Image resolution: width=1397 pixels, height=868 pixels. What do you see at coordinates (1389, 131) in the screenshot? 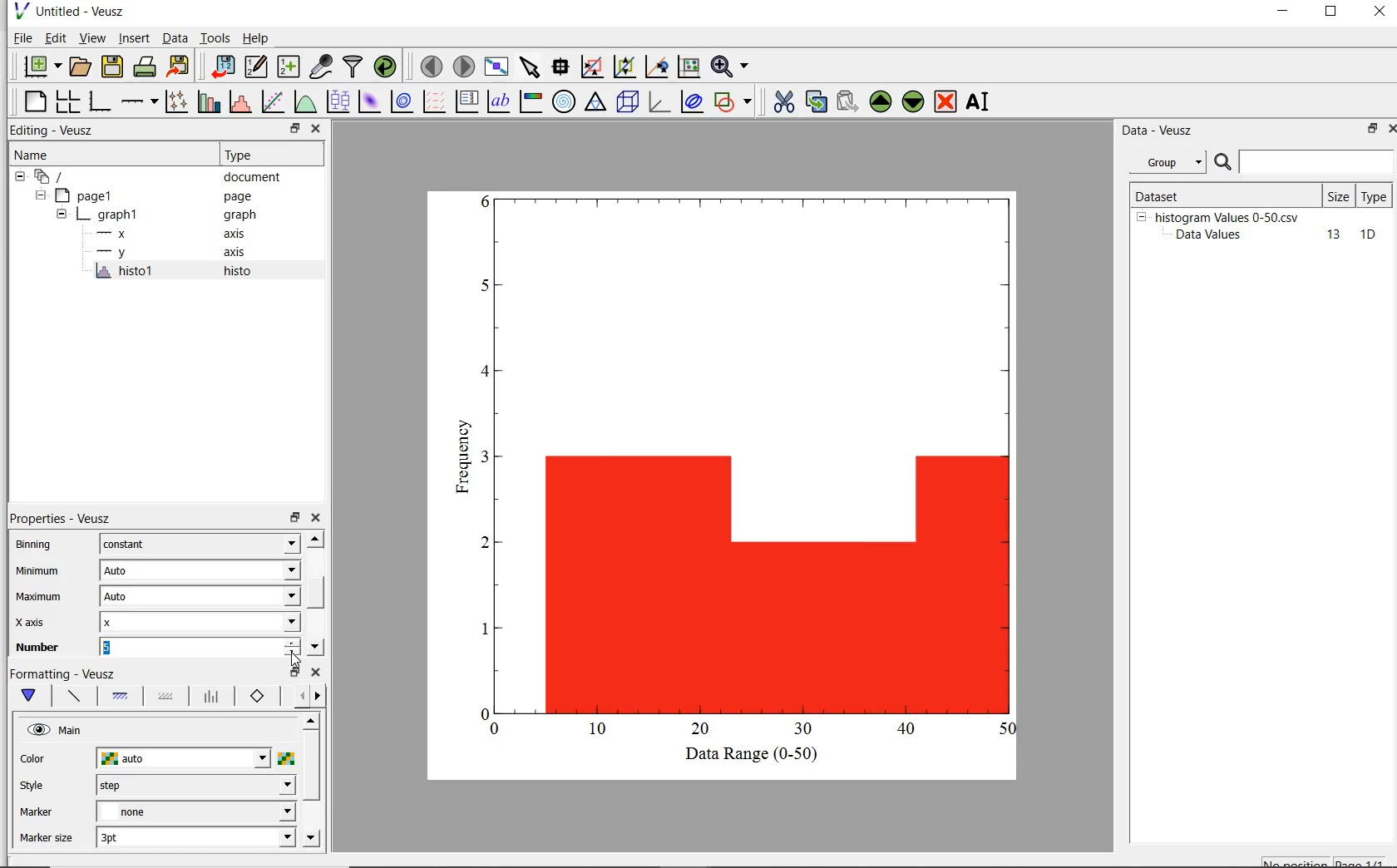
I see `close` at bounding box center [1389, 131].